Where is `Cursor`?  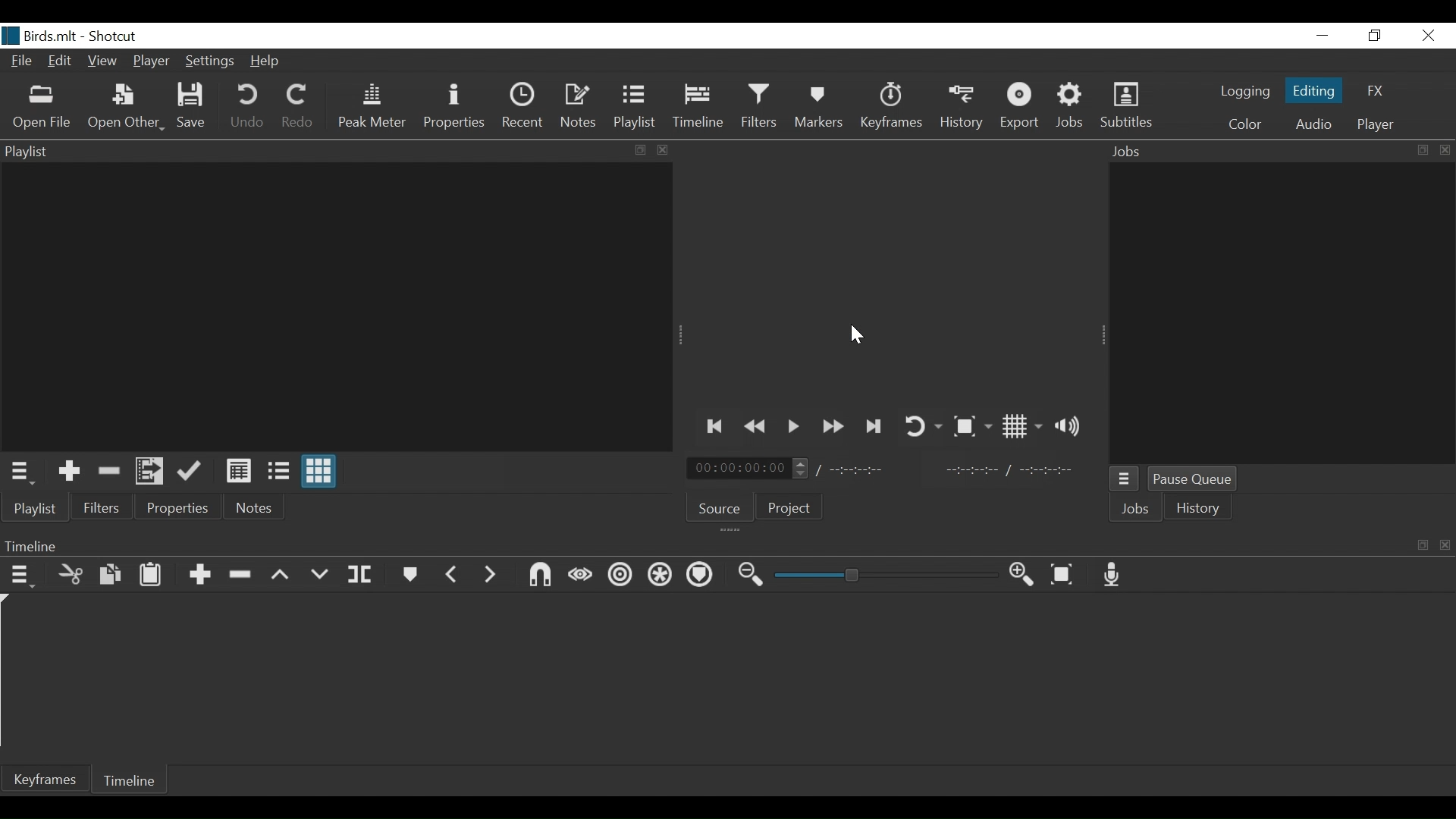 Cursor is located at coordinates (856, 334).